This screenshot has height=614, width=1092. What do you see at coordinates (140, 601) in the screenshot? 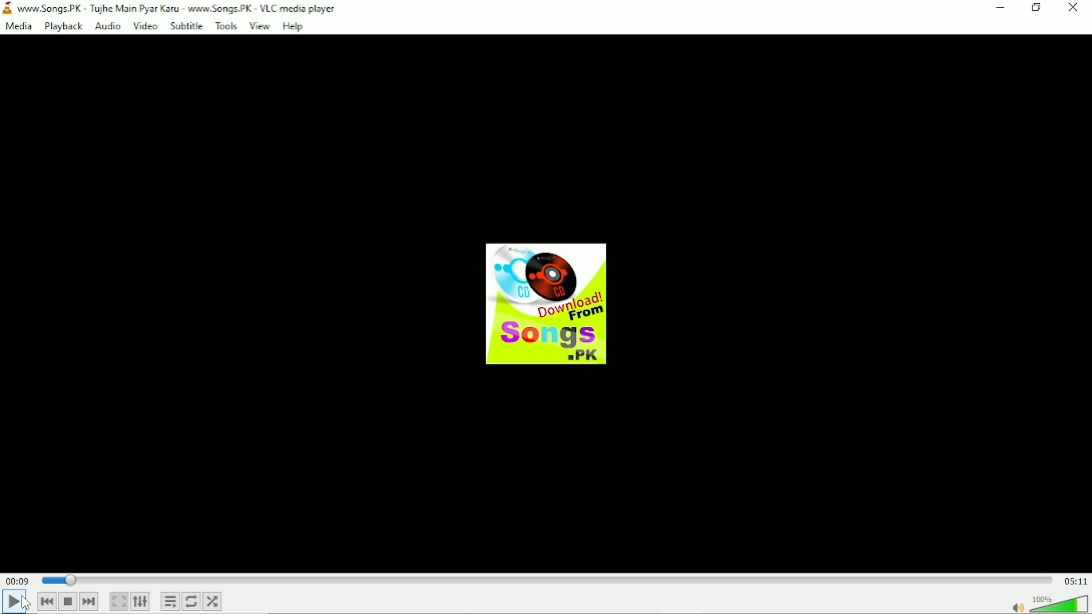
I see `Show extended settings` at bounding box center [140, 601].